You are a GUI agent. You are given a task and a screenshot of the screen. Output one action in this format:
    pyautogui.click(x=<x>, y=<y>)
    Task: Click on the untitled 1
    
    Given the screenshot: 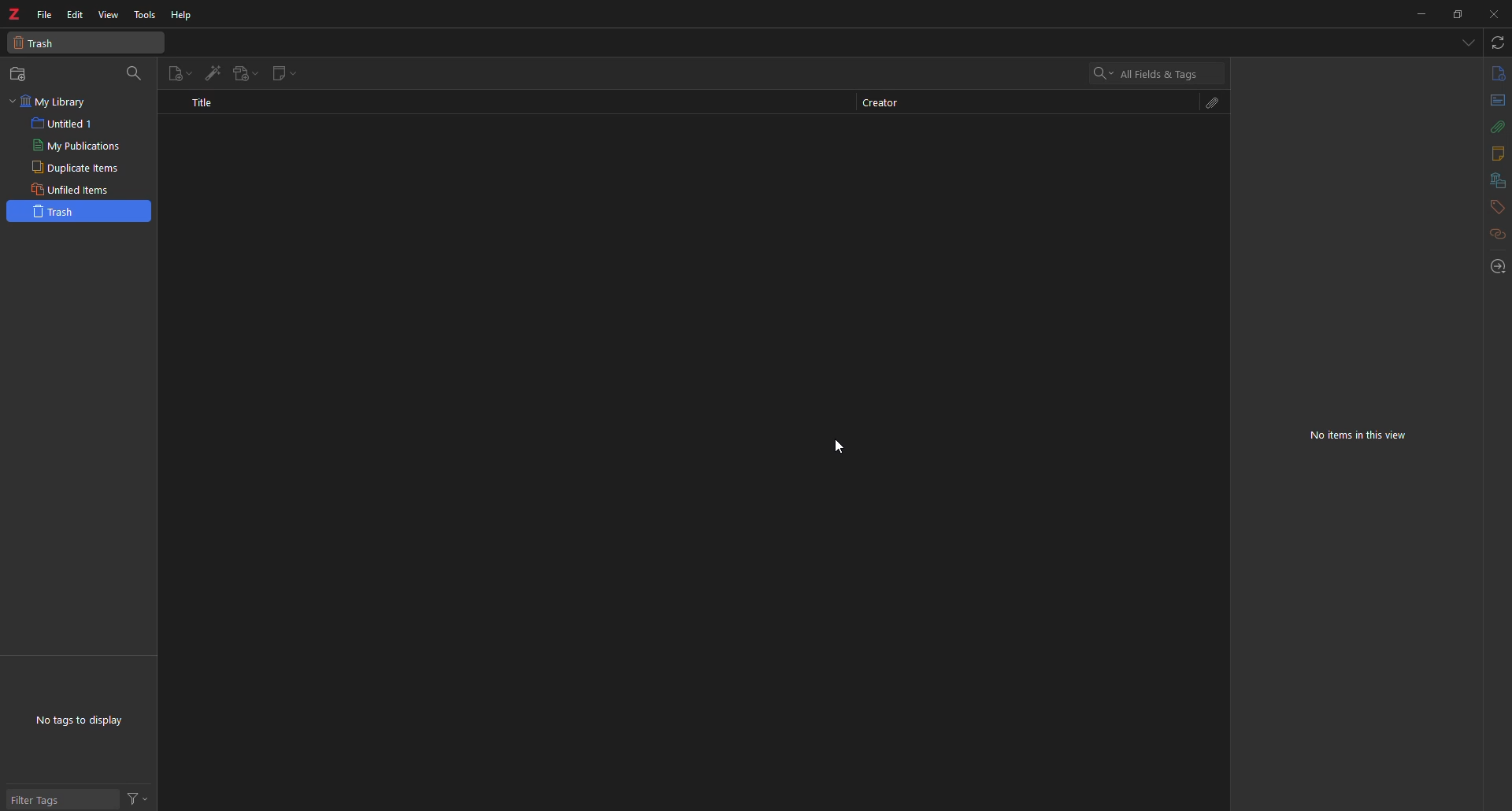 What is the action you would take?
    pyautogui.click(x=65, y=124)
    